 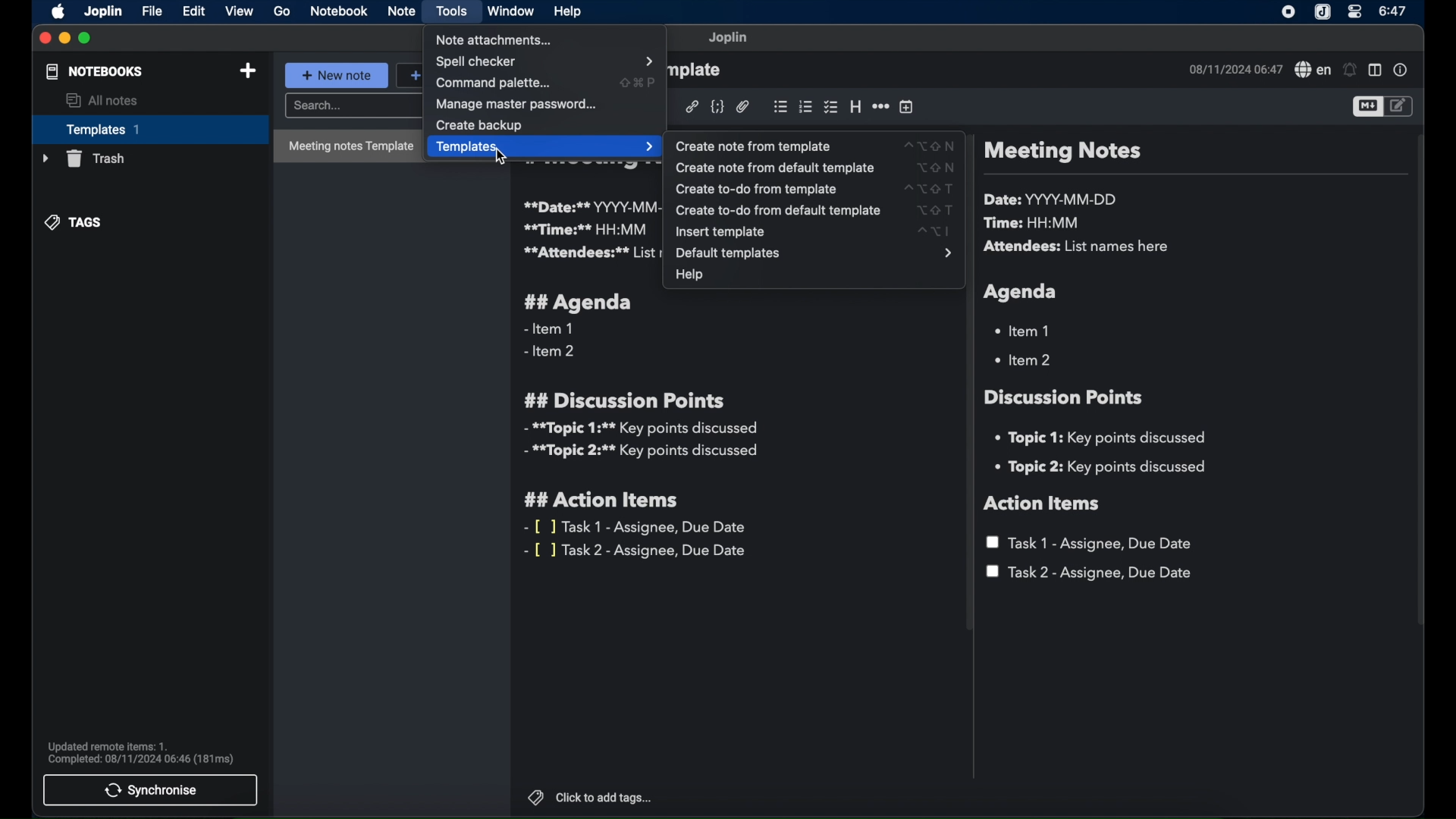 What do you see at coordinates (566, 10) in the screenshot?
I see `help` at bounding box center [566, 10].